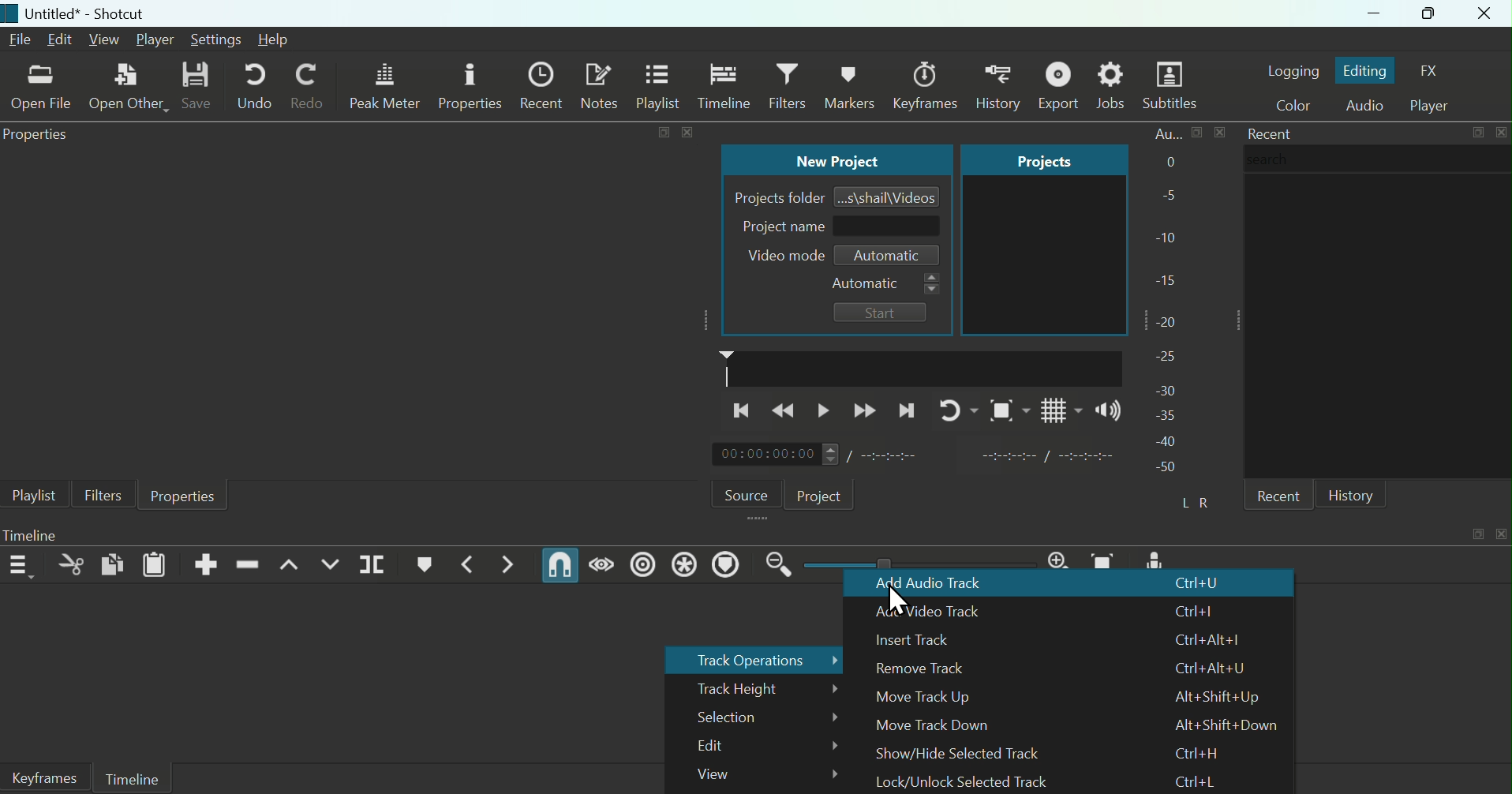  What do you see at coordinates (852, 83) in the screenshot?
I see `History` at bounding box center [852, 83].